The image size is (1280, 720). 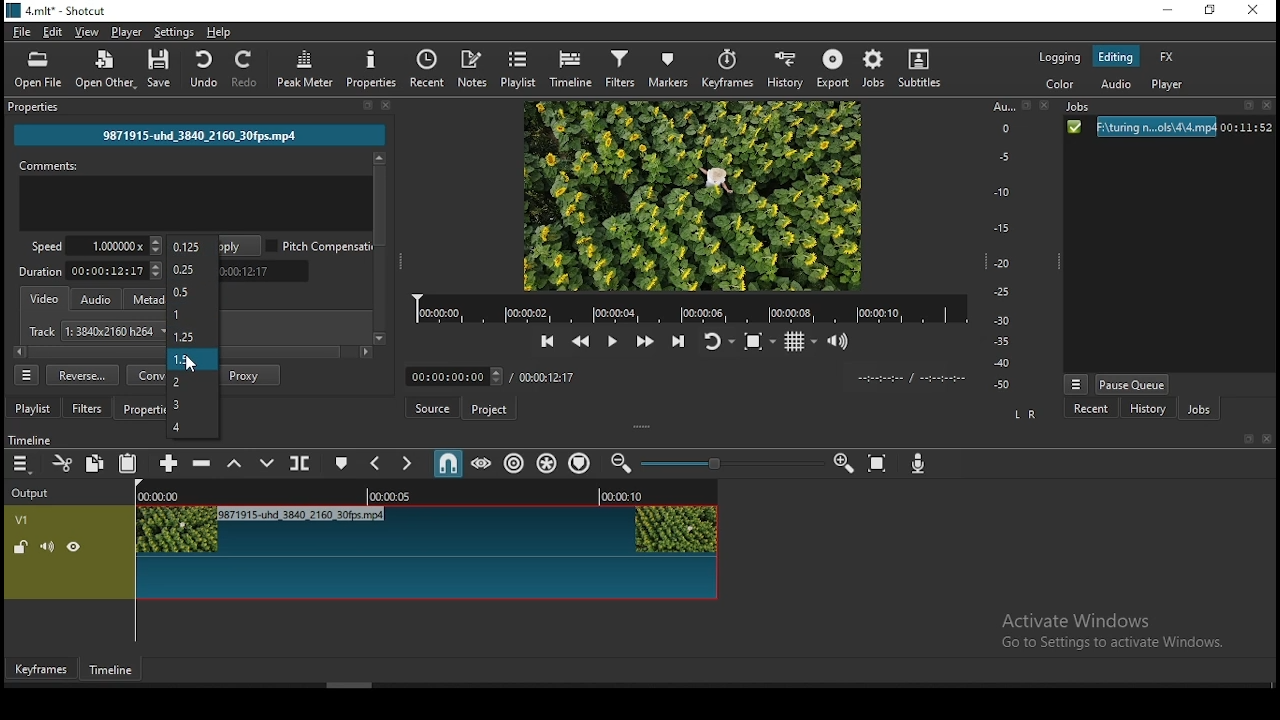 I want to click on ripple all tracks, so click(x=547, y=464).